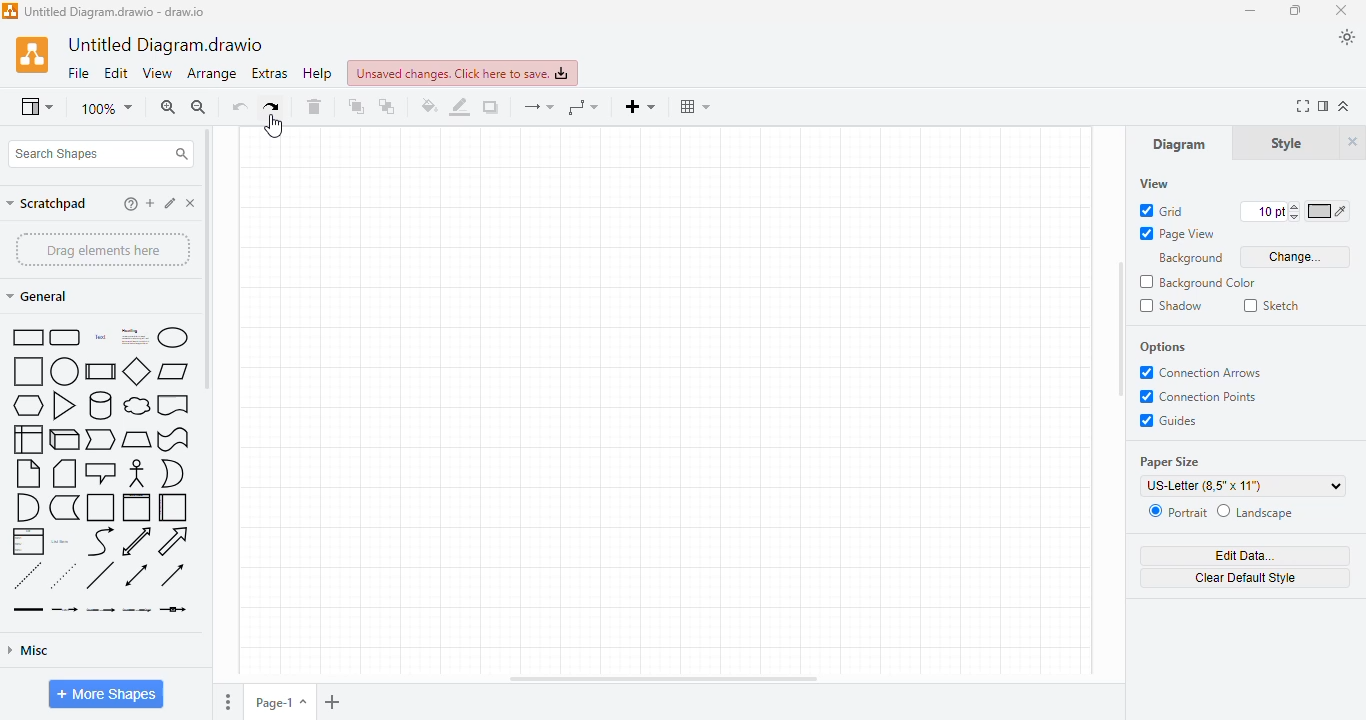 This screenshot has width=1366, height=720. Describe the element at coordinates (28, 474) in the screenshot. I see `note` at that location.